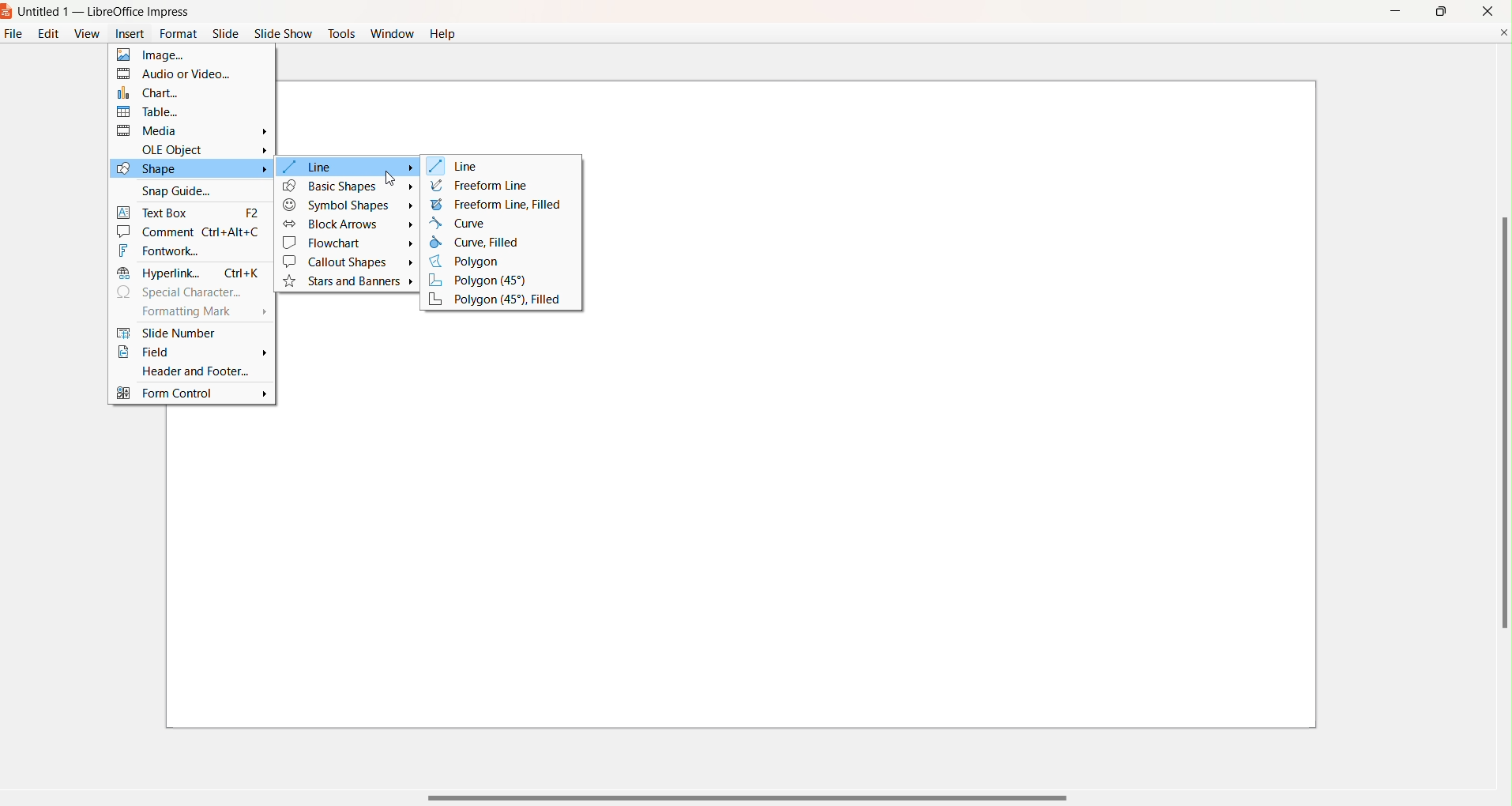 This screenshot has height=806, width=1512. Describe the element at coordinates (348, 243) in the screenshot. I see `Flowchart` at that location.